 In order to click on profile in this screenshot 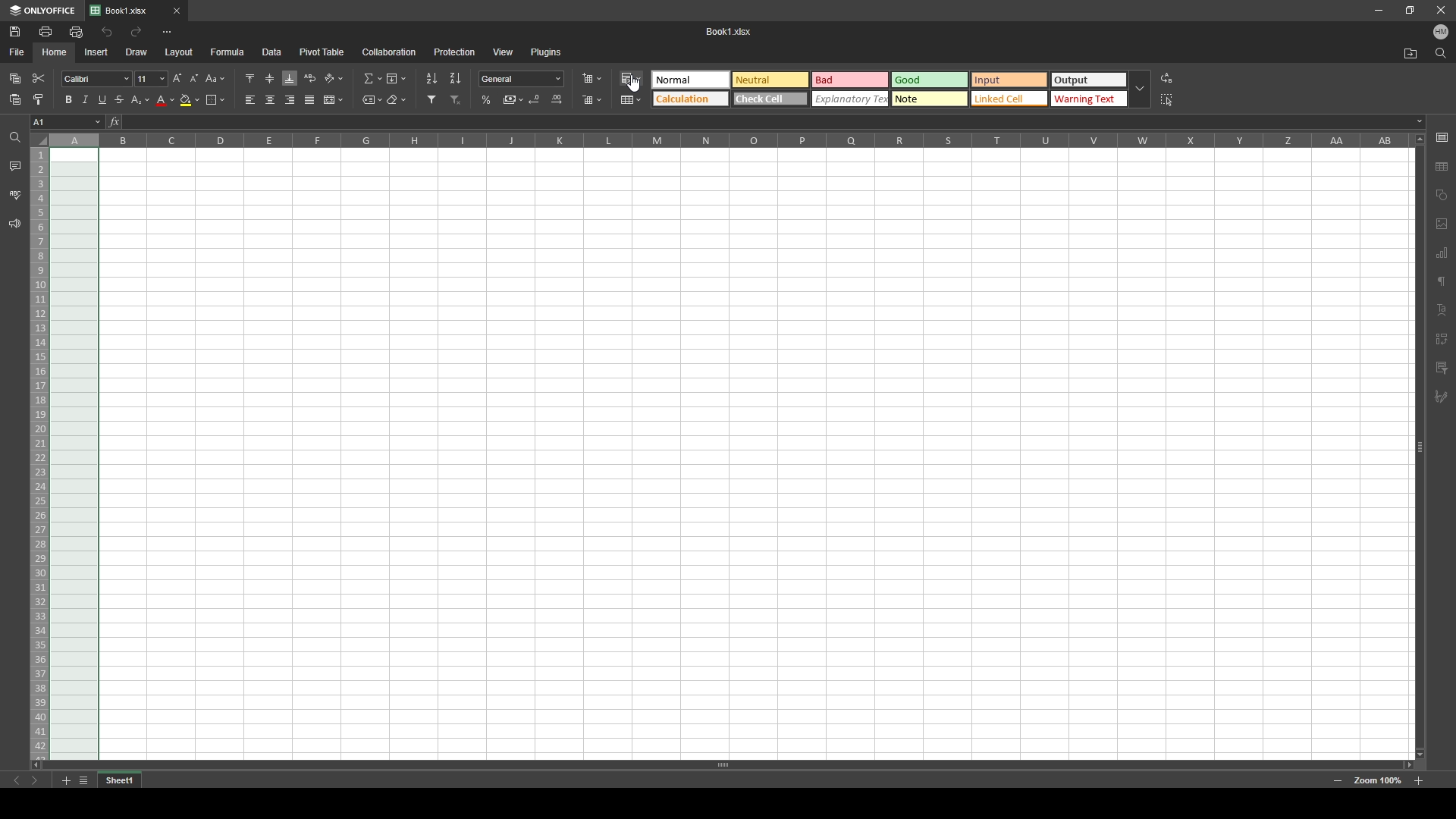, I will do `click(1441, 33)`.